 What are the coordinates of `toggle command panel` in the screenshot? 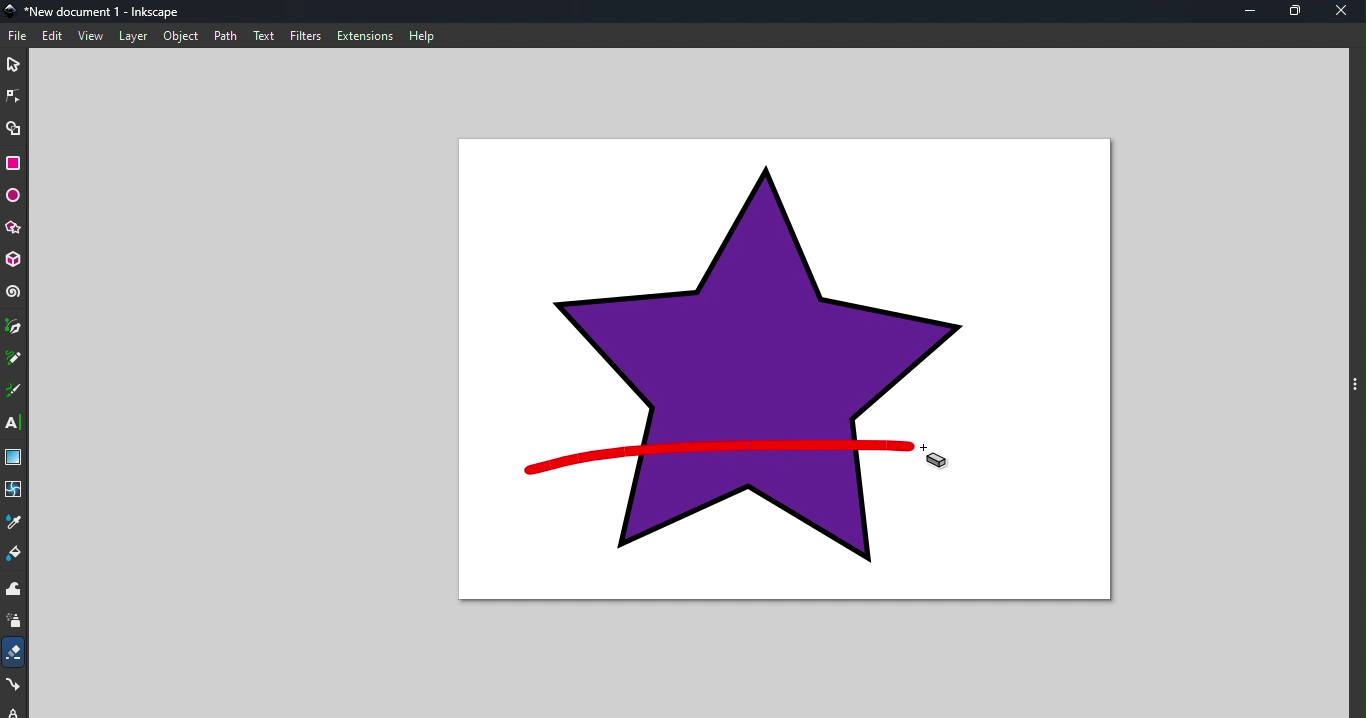 It's located at (1355, 383).